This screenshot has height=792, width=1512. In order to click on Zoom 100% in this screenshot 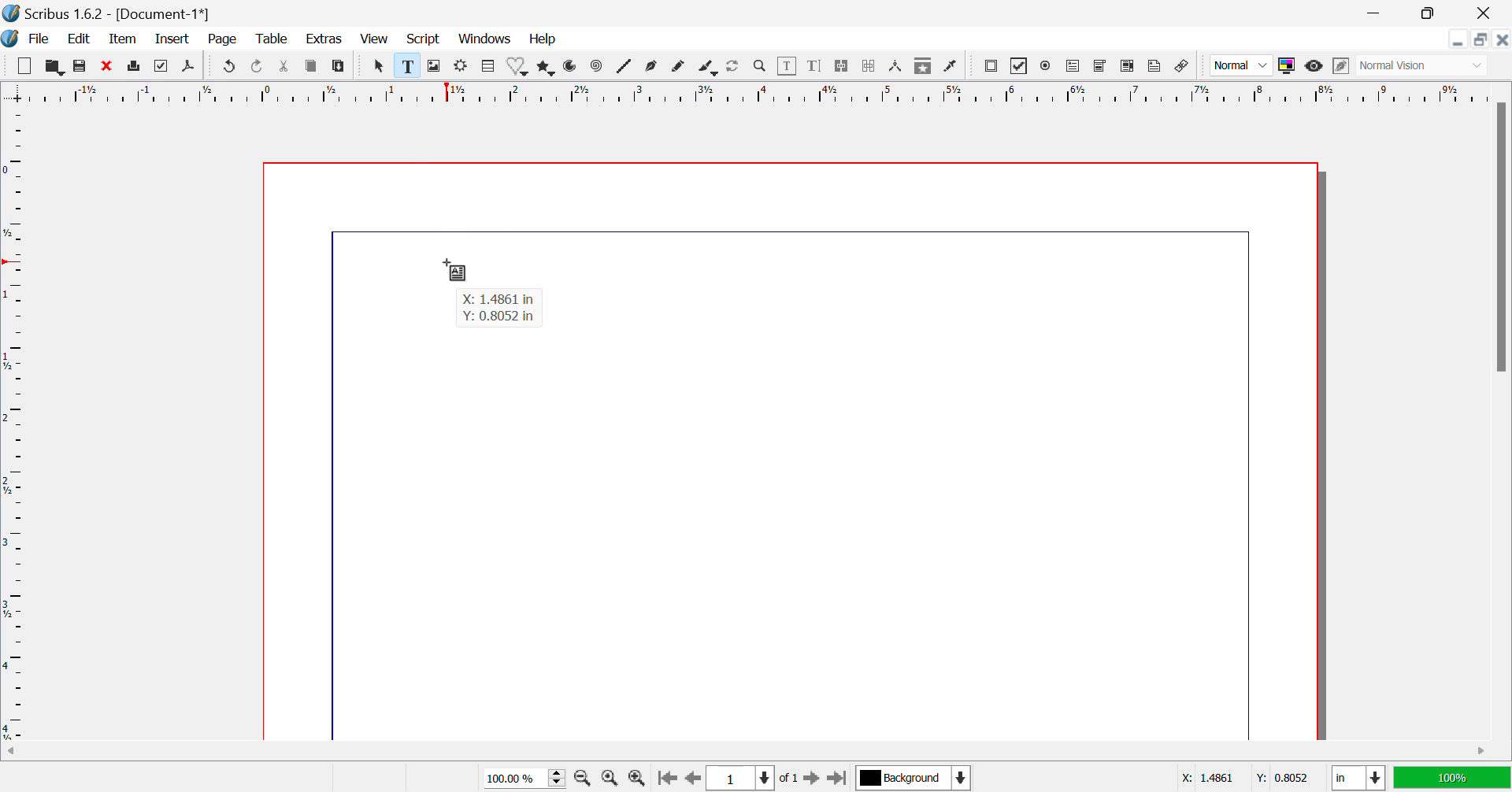, I will do `click(526, 777)`.